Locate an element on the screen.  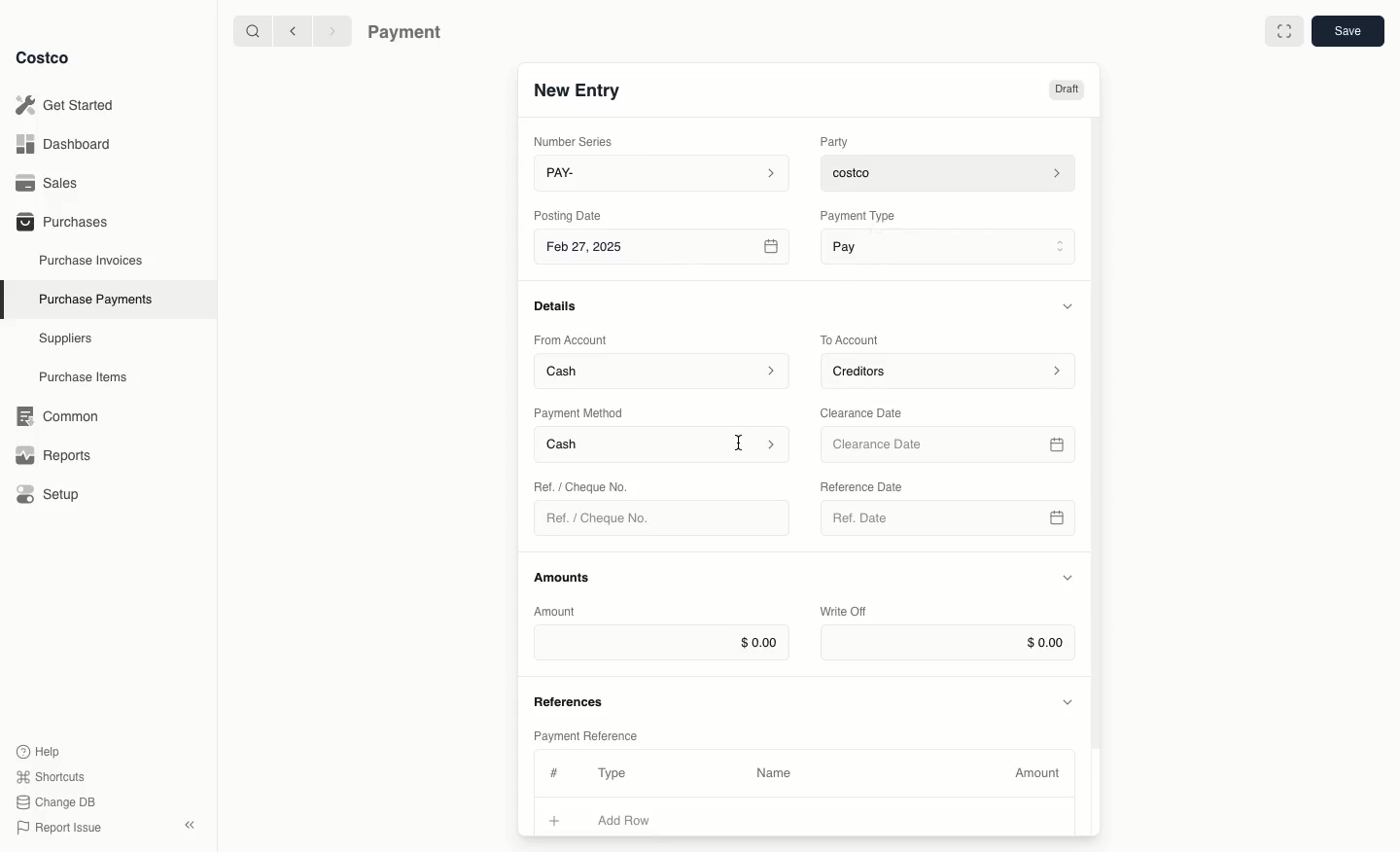
Party is located at coordinates (838, 141).